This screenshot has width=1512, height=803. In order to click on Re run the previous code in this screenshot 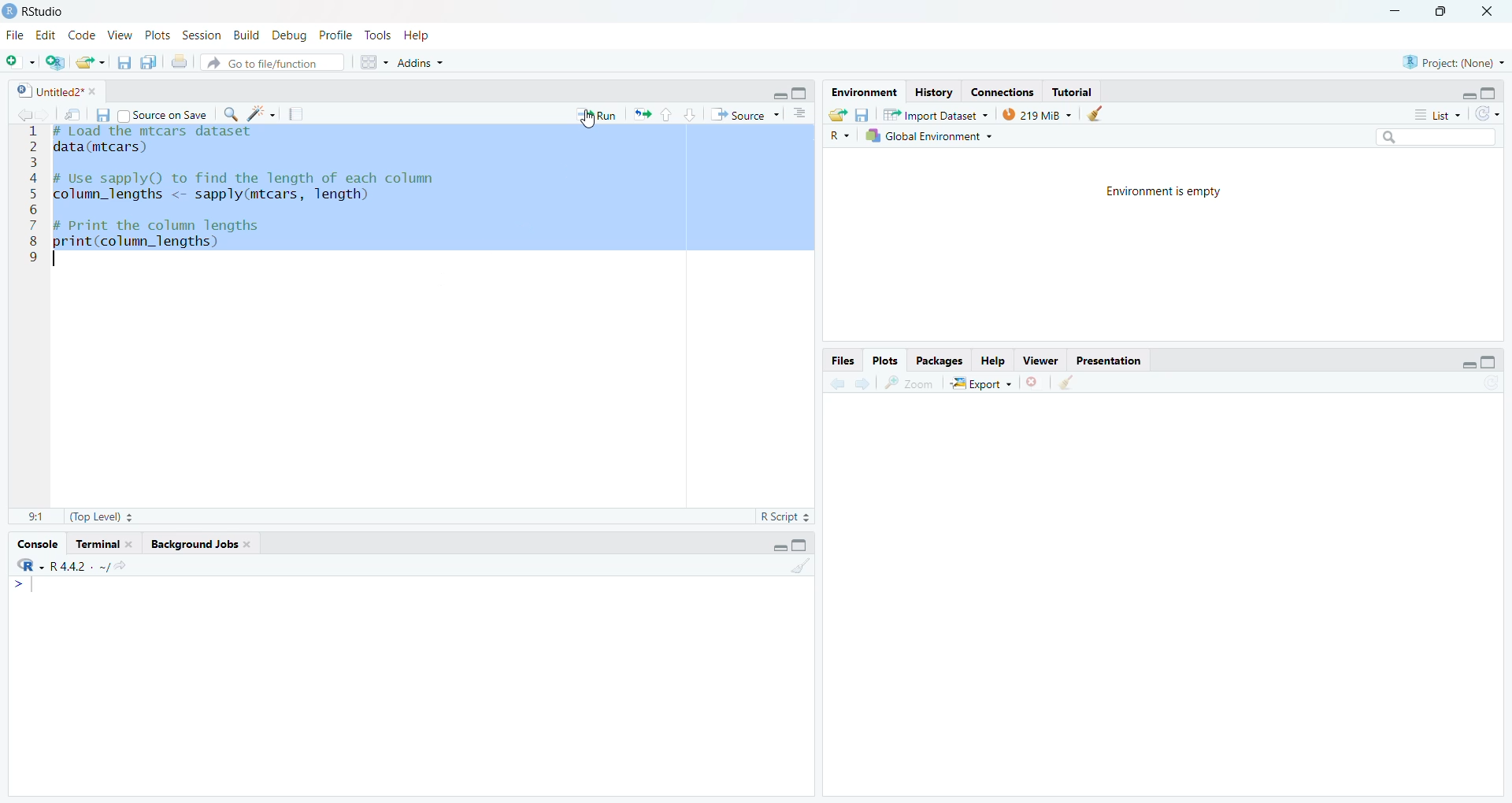, I will do `click(641, 113)`.